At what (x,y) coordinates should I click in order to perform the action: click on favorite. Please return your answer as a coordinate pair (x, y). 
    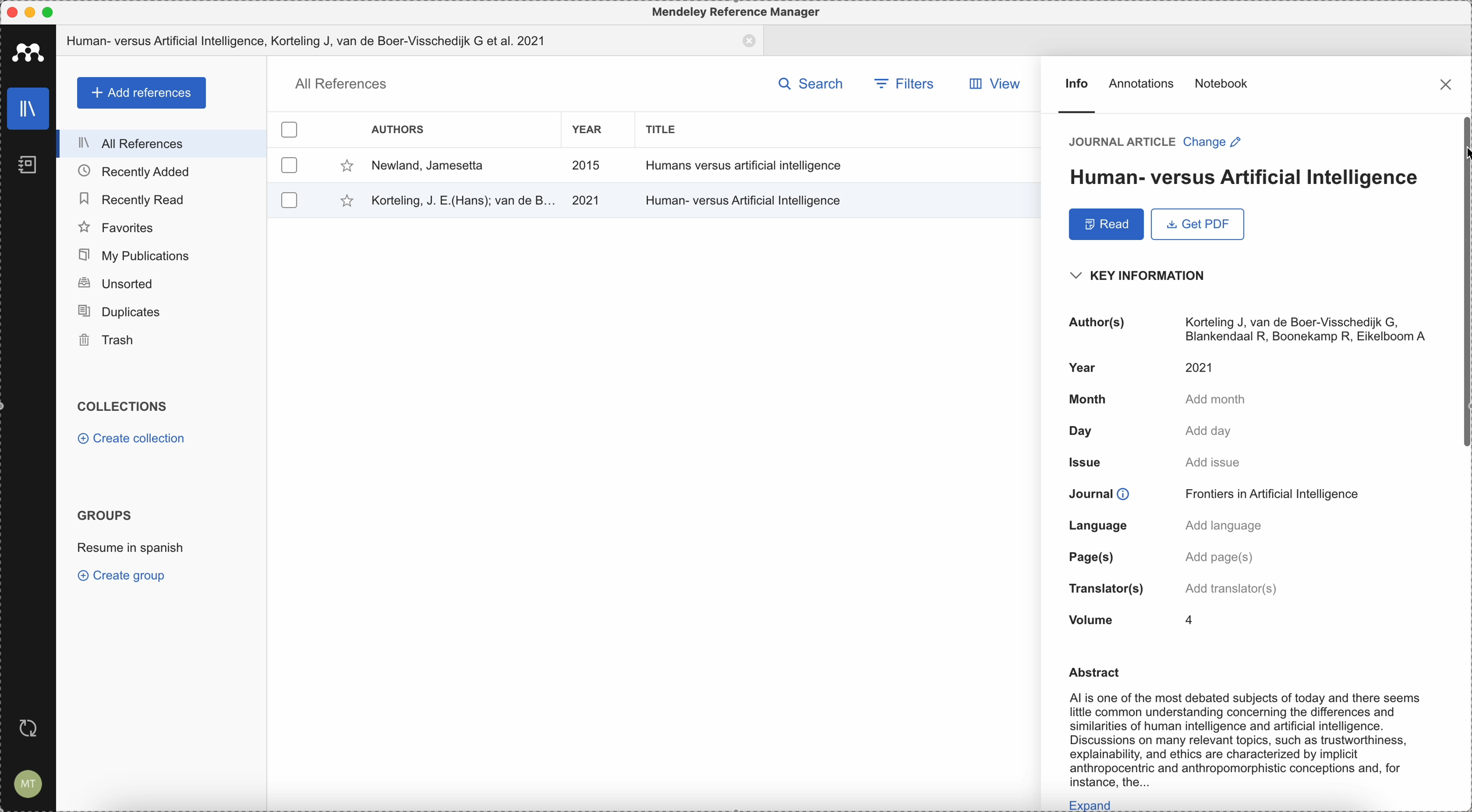
    Looking at the image, I should click on (339, 202).